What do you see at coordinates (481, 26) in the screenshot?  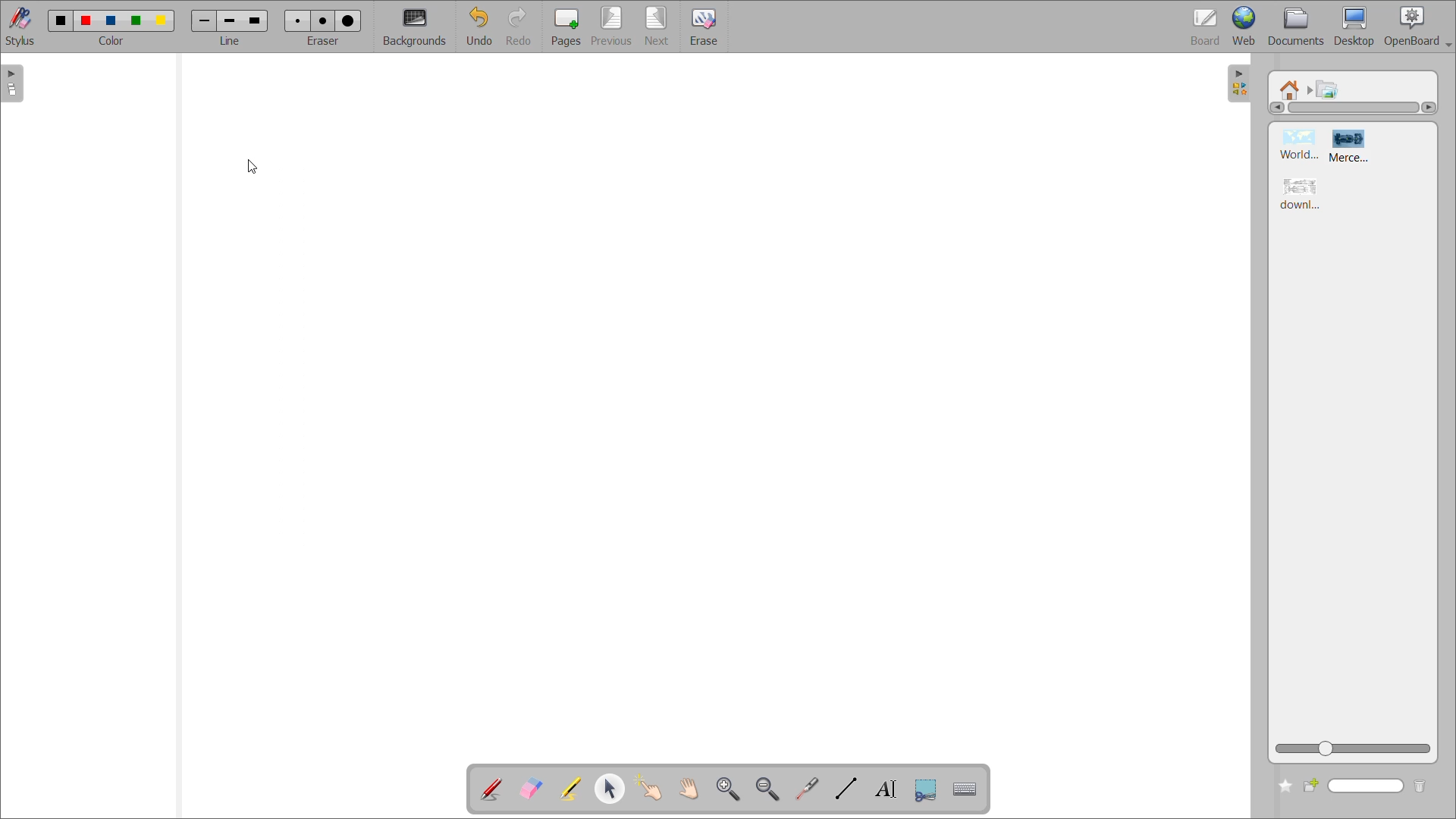 I see `undo` at bounding box center [481, 26].